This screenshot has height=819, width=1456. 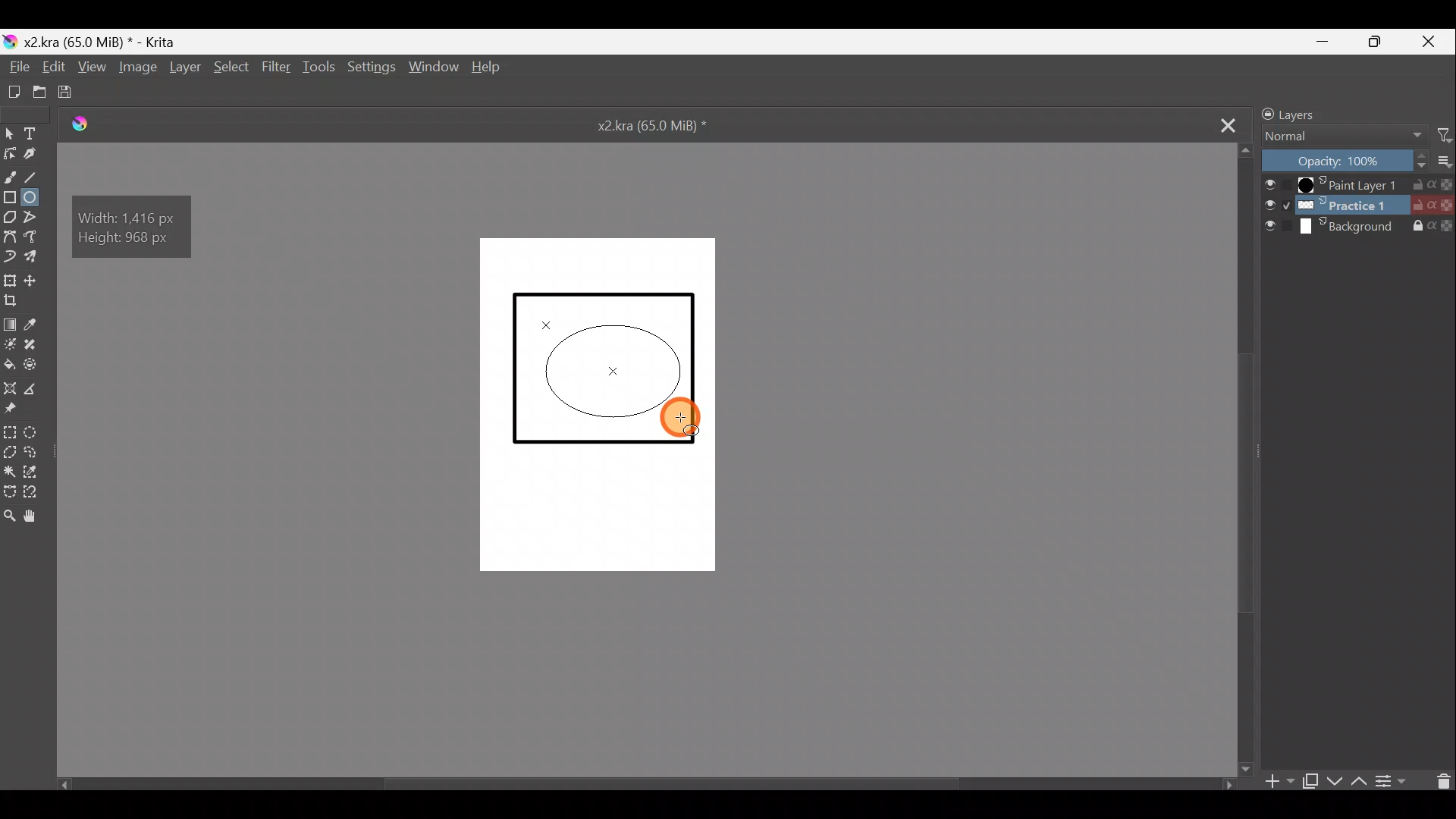 What do you see at coordinates (9, 216) in the screenshot?
I see `Polygon tool` at bounding box center [9, 216].